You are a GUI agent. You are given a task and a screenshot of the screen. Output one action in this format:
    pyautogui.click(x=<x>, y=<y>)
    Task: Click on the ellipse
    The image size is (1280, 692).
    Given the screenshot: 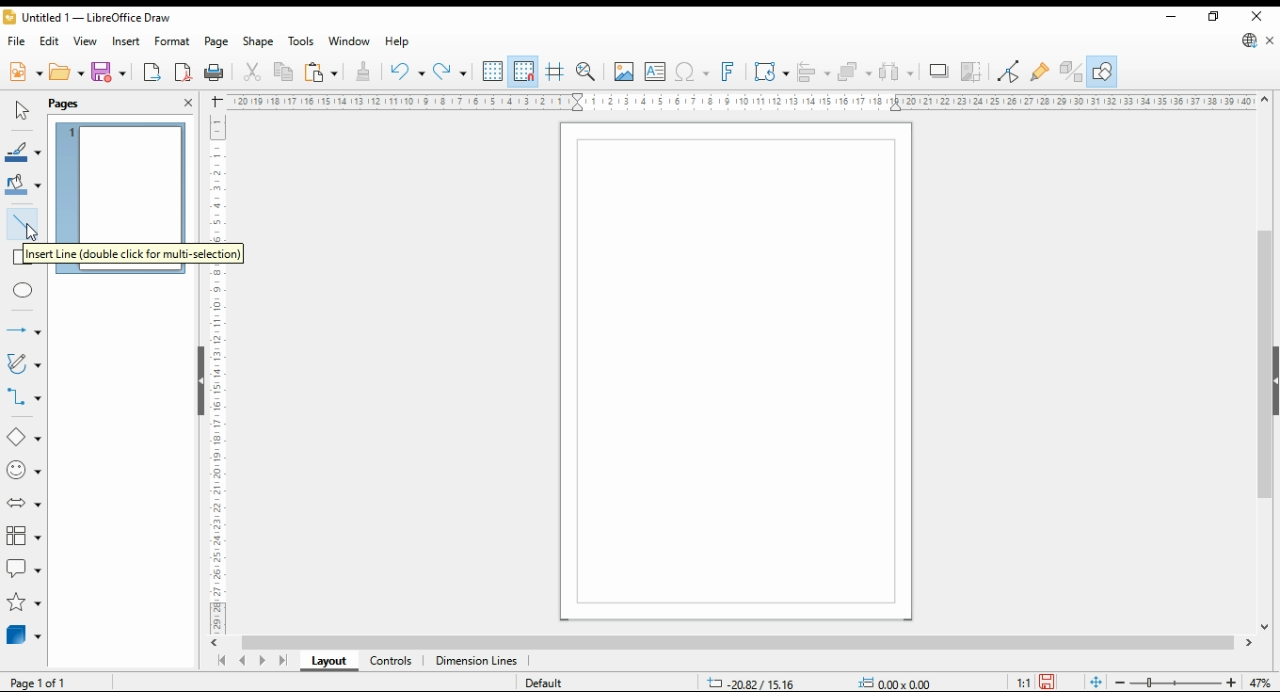 What is the action you would take?
    pyautogui.click(x=25, y=290)
    